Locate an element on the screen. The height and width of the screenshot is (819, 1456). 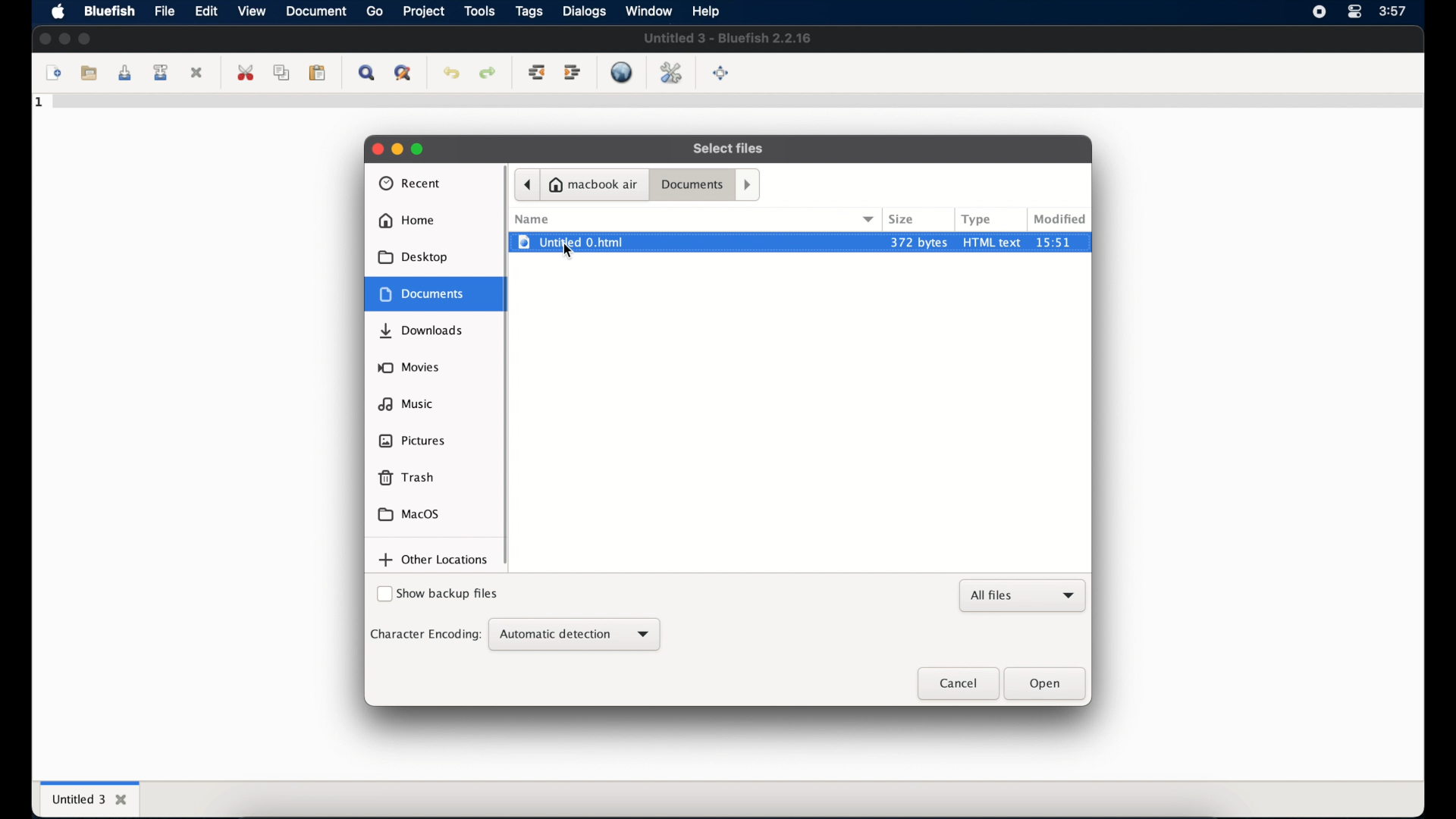
maximize is located at coordinates (419, 149).